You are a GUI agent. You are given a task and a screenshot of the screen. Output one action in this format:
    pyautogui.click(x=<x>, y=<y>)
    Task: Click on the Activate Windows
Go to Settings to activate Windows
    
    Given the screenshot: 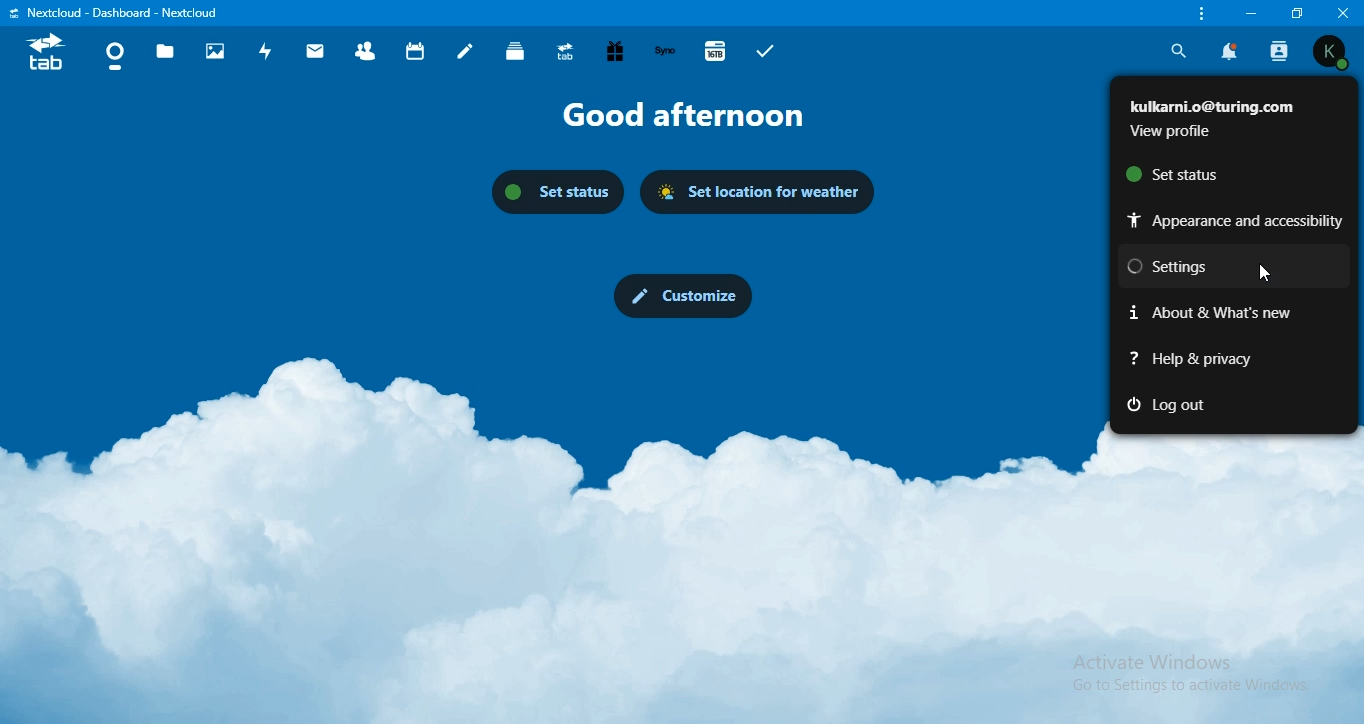 What is the action you would take?
    pyautogui.click(x=1177, y=671)
    